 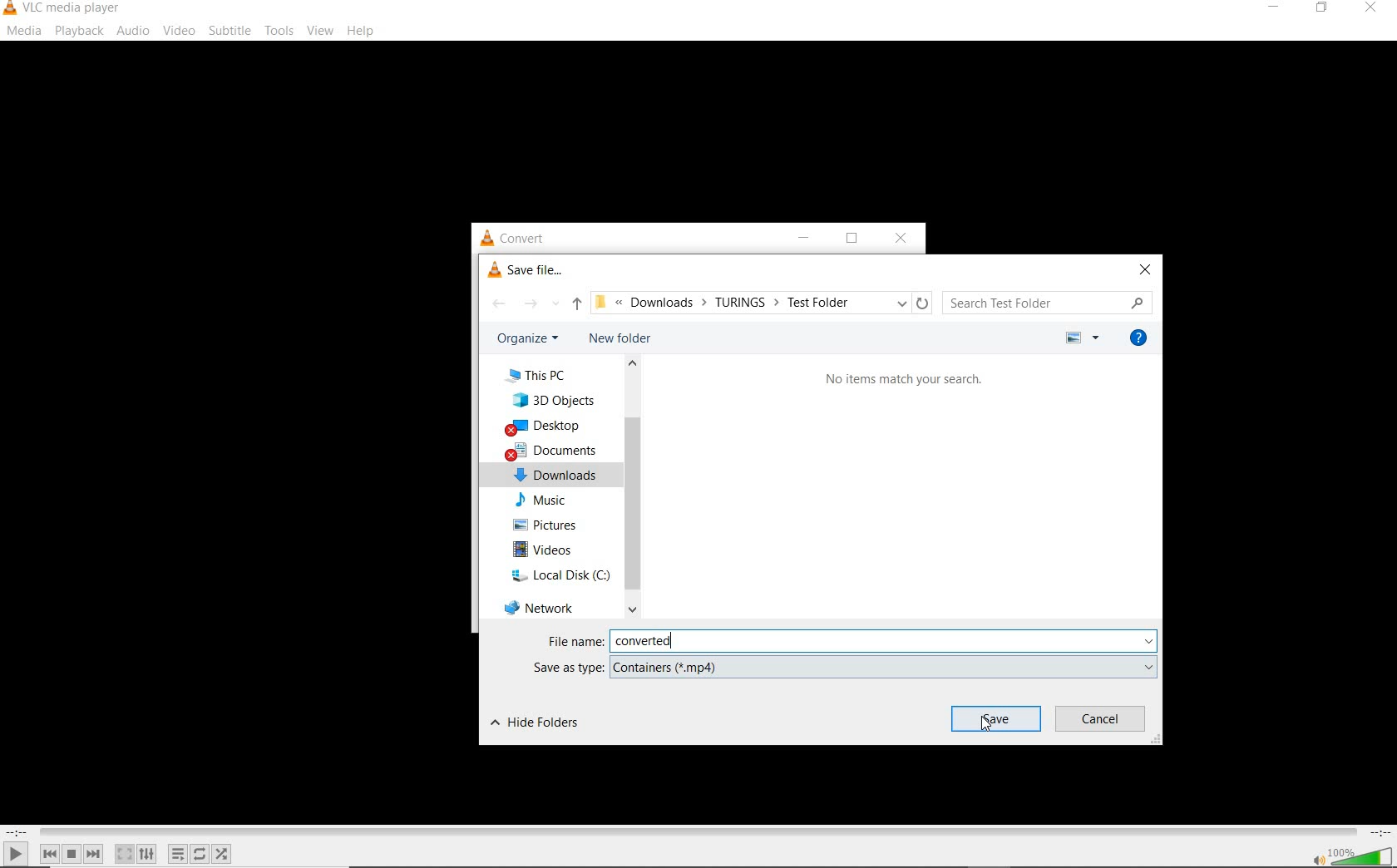 What do you see at coordinates (16, 853) in the screenshot?
I see `play` at bounding box center [16, 853].